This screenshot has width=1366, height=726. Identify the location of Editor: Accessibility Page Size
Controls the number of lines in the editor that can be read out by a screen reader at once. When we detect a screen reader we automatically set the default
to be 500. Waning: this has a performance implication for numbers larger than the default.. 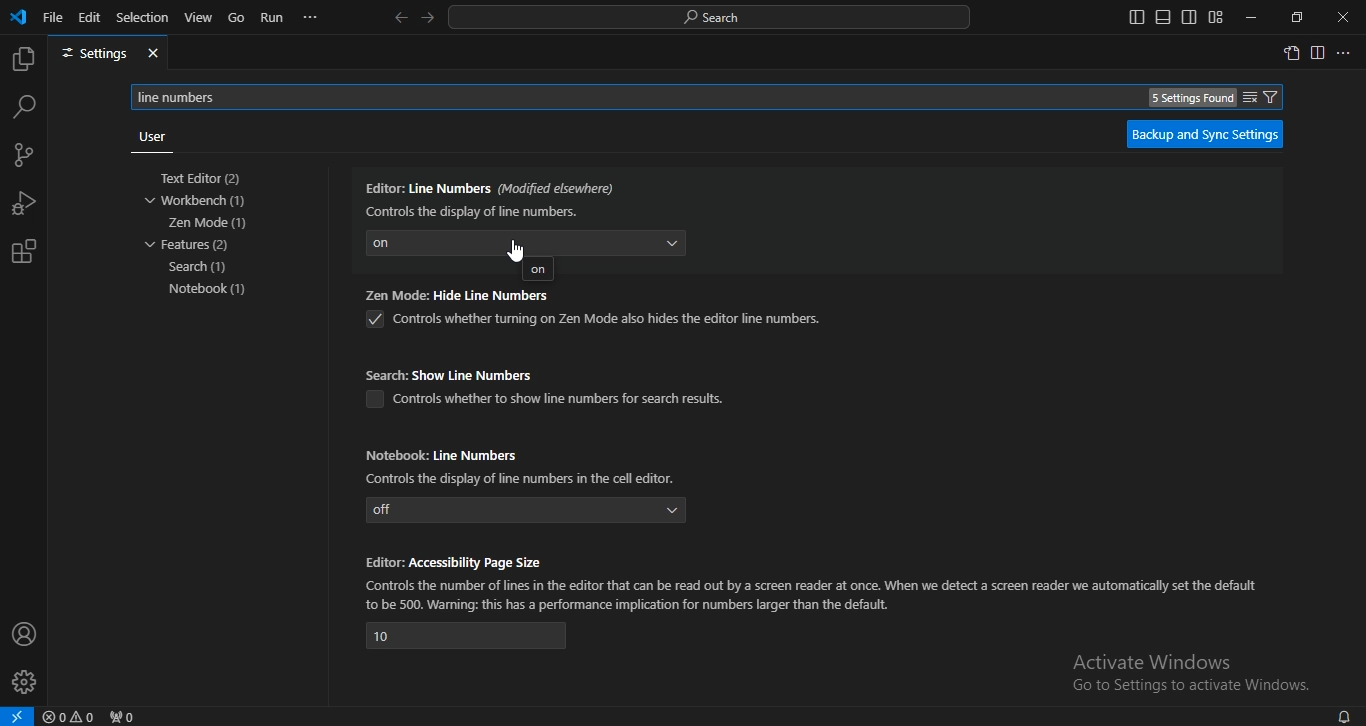
(814, 581).